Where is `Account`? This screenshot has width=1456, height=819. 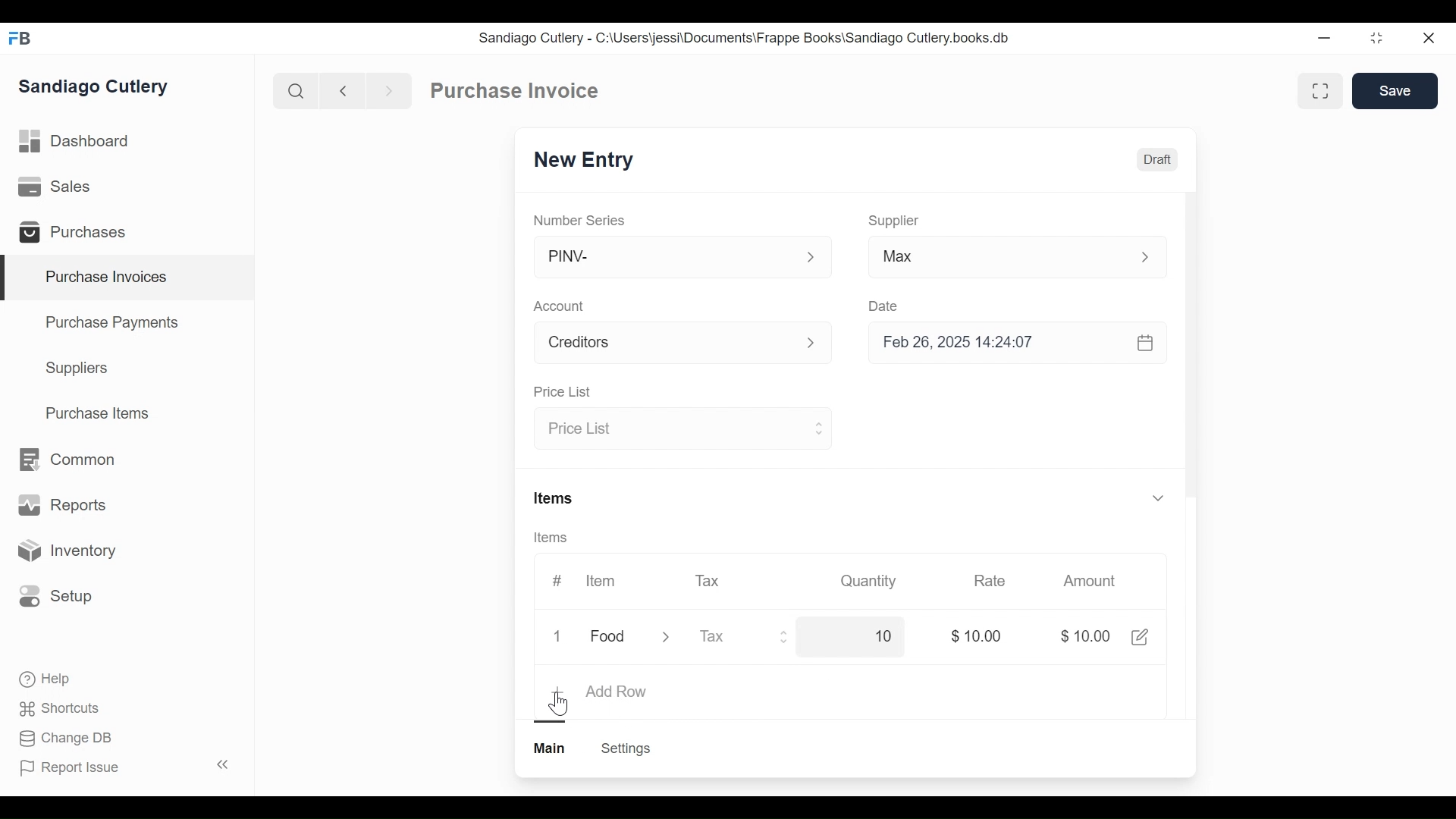
Account is located at coordinates (562, 308).